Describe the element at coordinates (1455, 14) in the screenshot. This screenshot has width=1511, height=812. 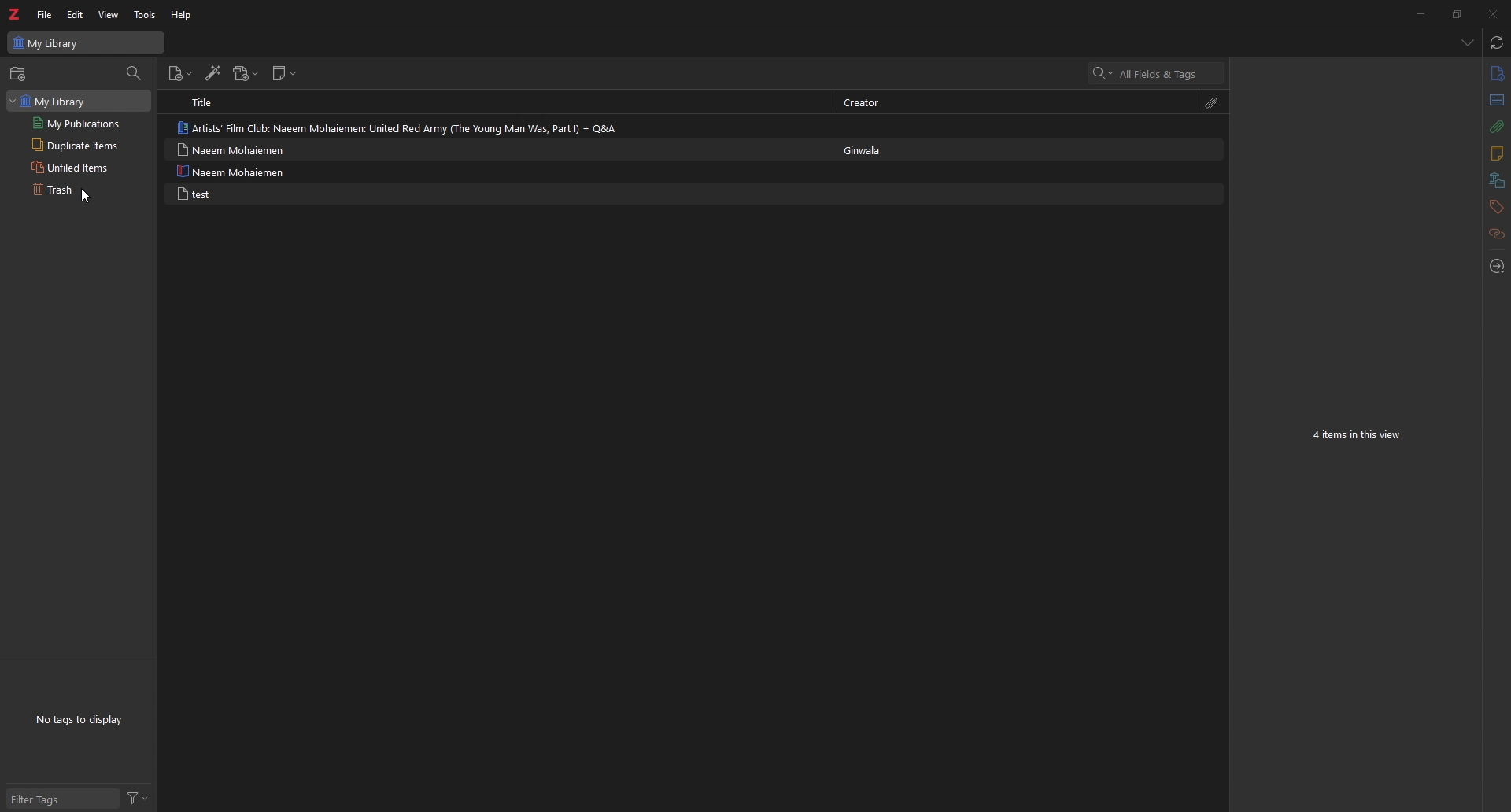
I see `resize` at that location.